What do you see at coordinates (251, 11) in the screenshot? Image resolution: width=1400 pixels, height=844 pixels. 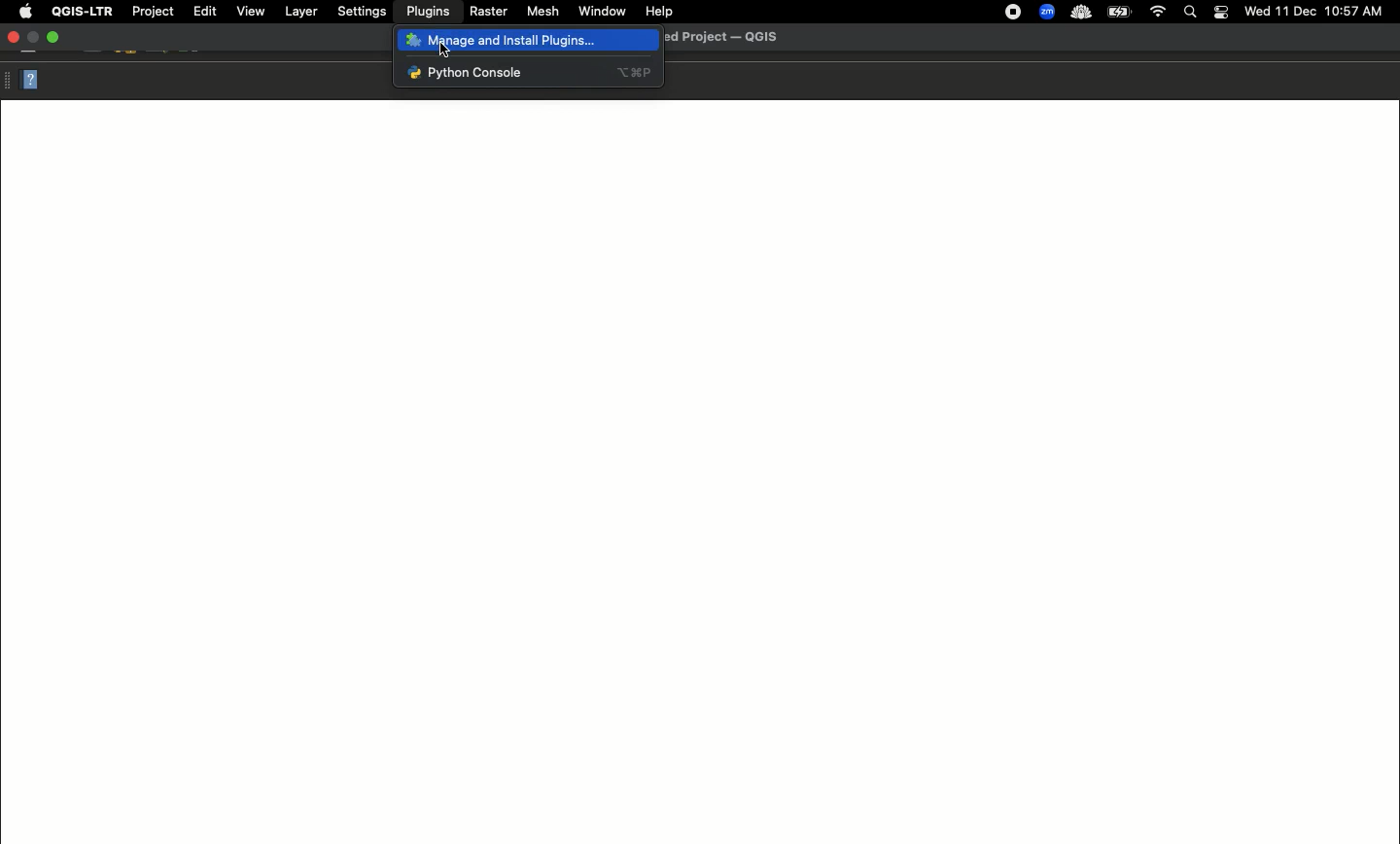 I see `View` at bounding box center [251, 11].